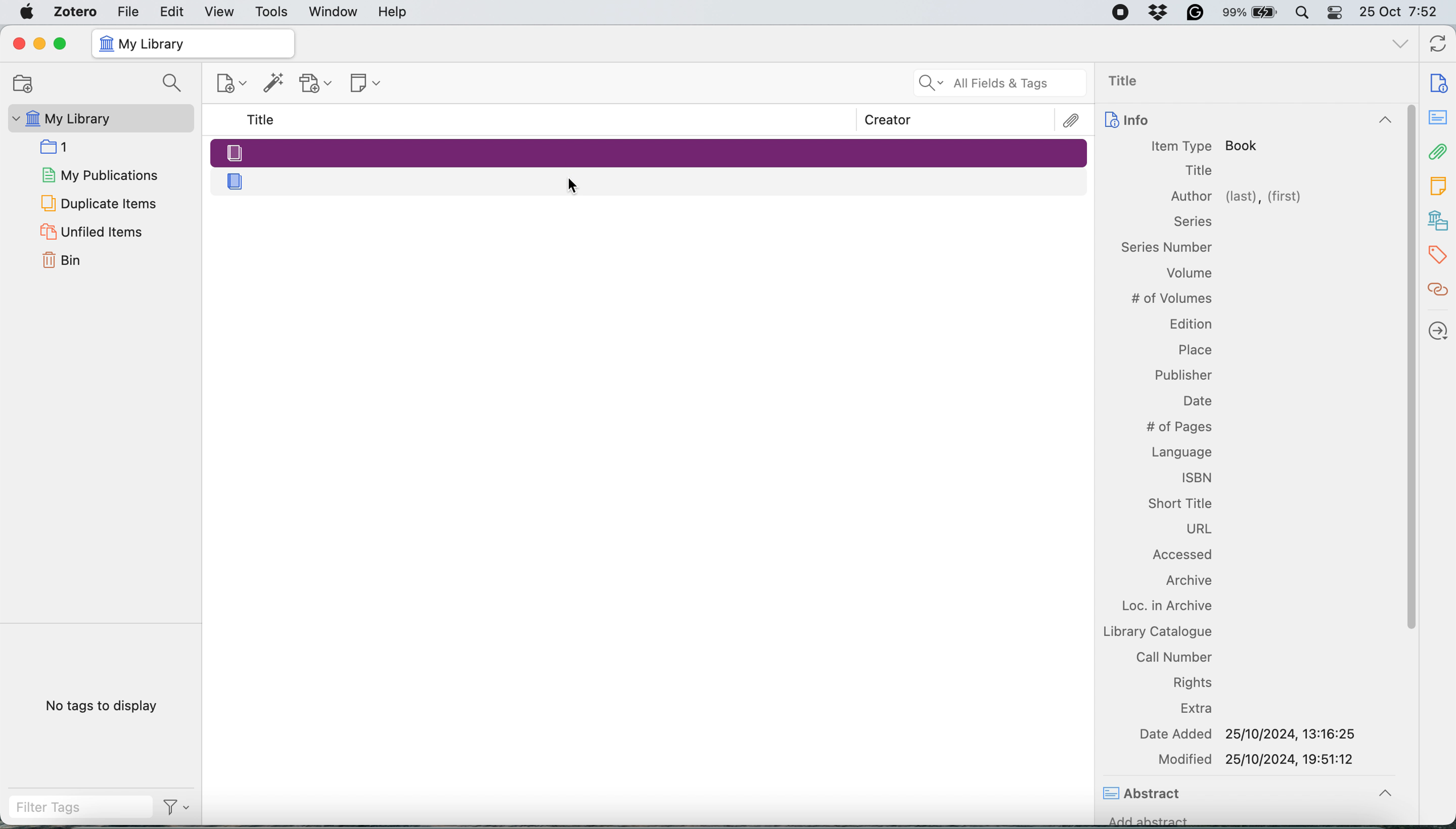  I want to click on Scroll Bar, so click(1409, 436).